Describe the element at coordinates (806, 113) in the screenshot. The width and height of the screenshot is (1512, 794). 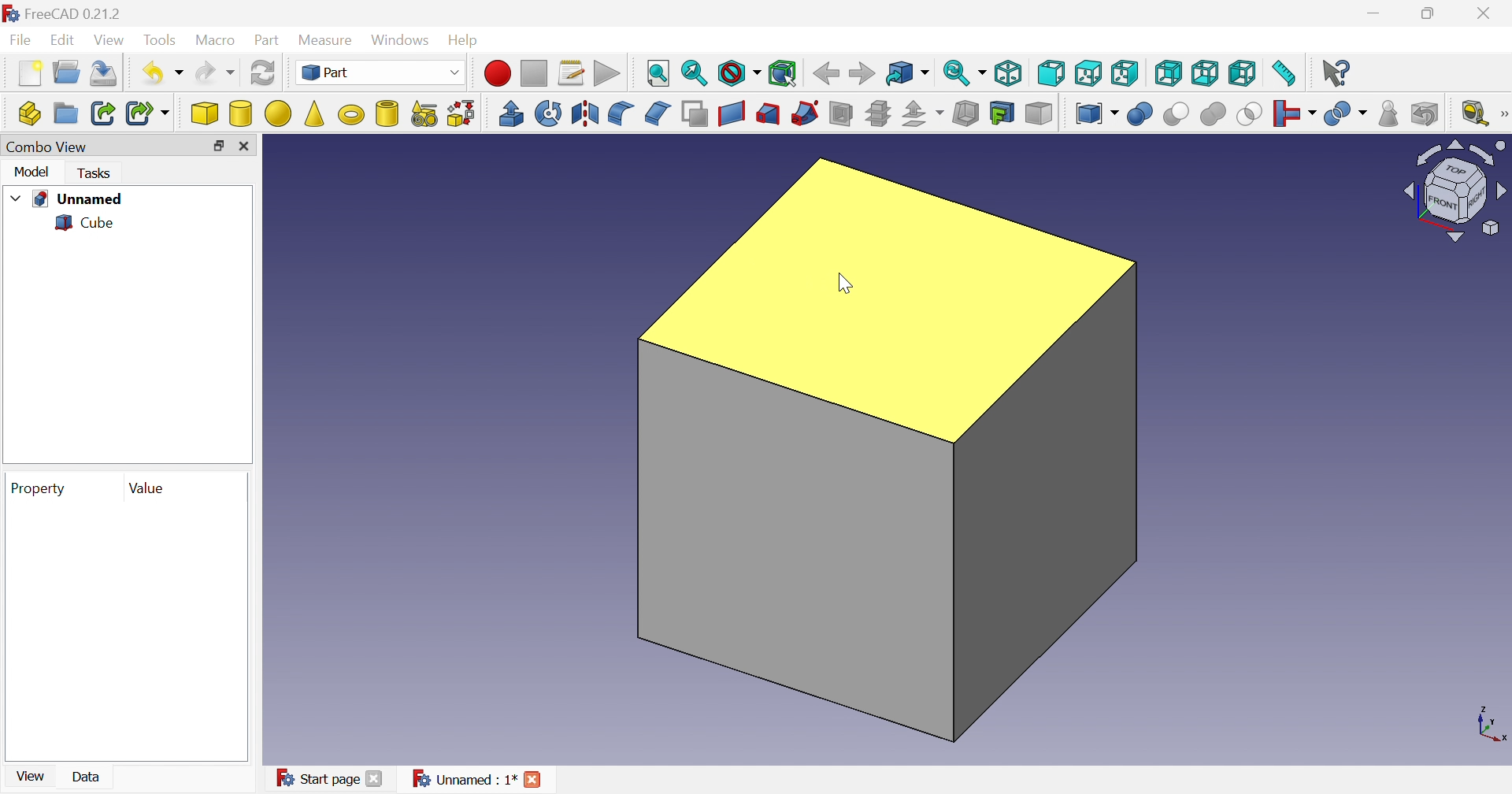
I see `Sweep` at that location.